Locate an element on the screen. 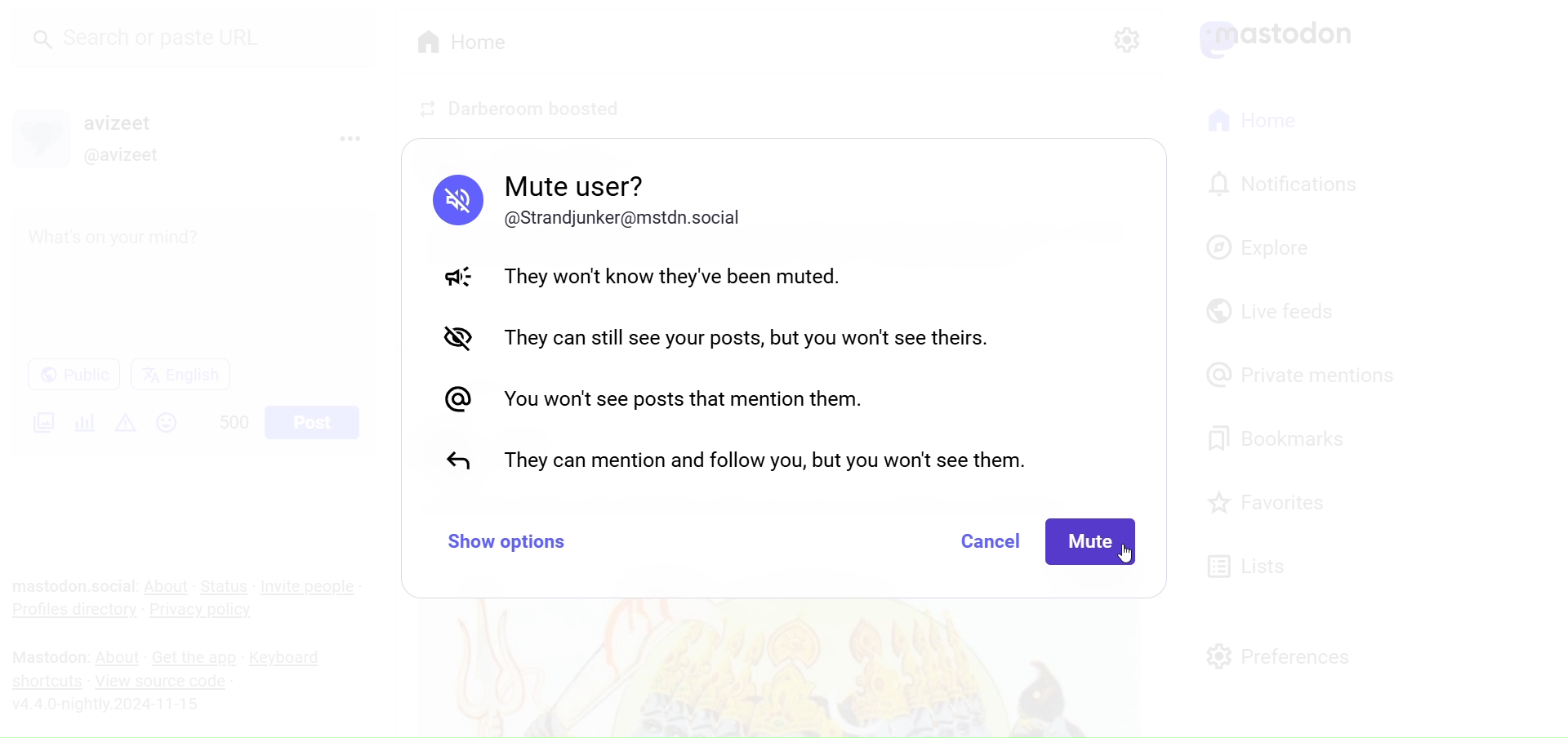 The height and width of the screenshot is (738, 1568). They Wont know they've been muted is located at coordinates (776, 277).